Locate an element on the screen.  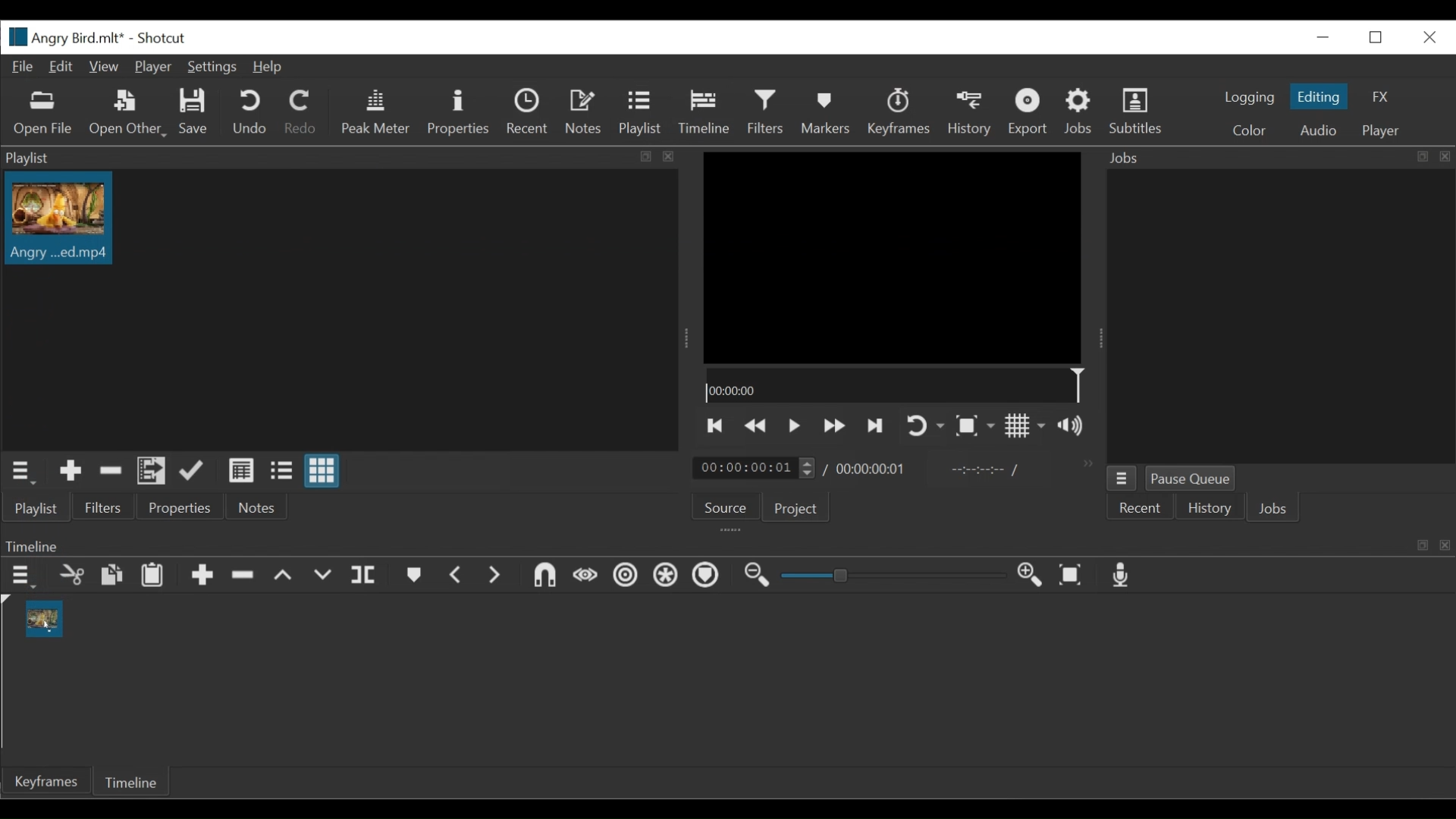
Subtitles is located at coordinates (1137, 111).